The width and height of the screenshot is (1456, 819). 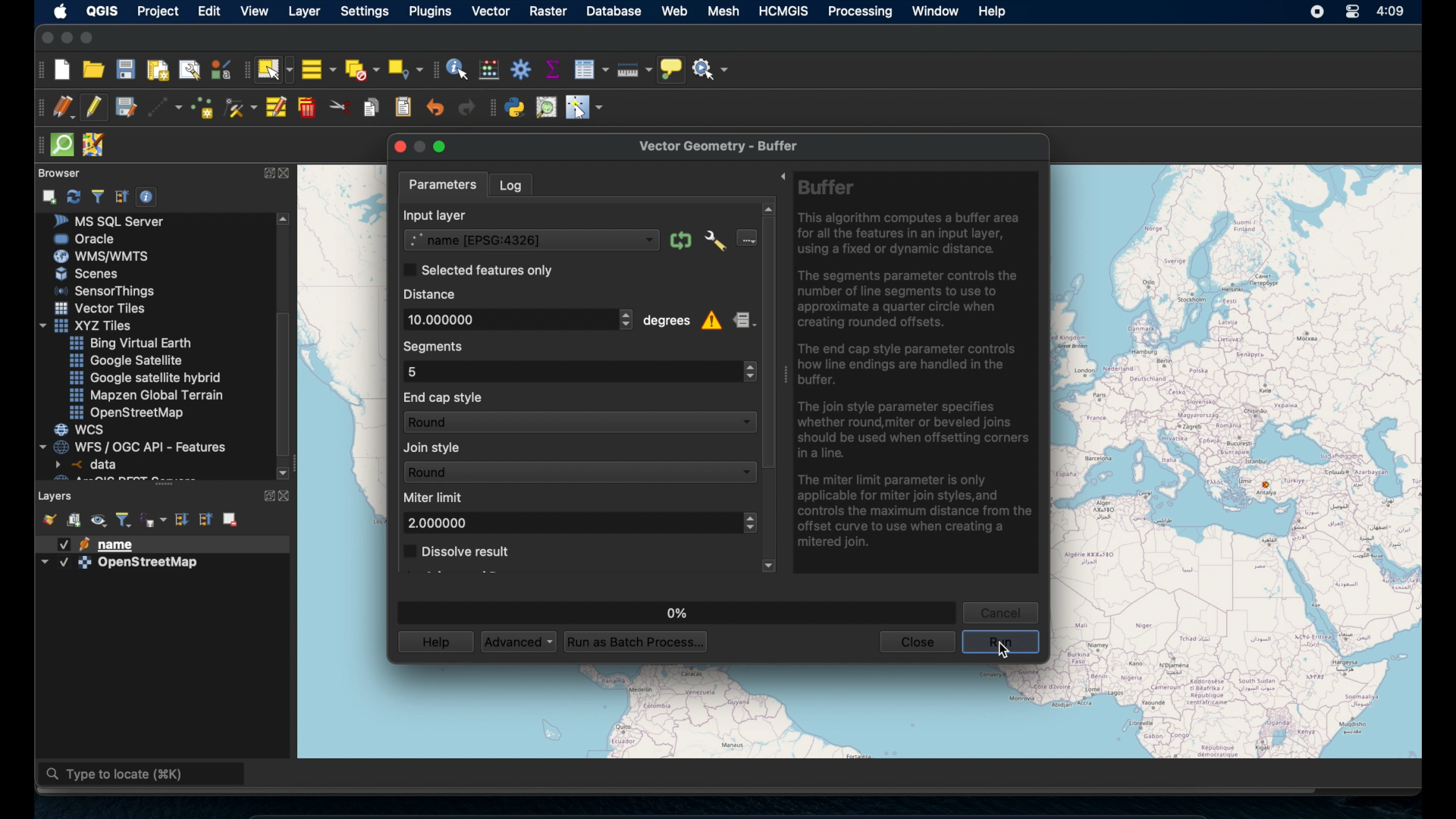 I want to click on parameters, so click(x=444, y=182).